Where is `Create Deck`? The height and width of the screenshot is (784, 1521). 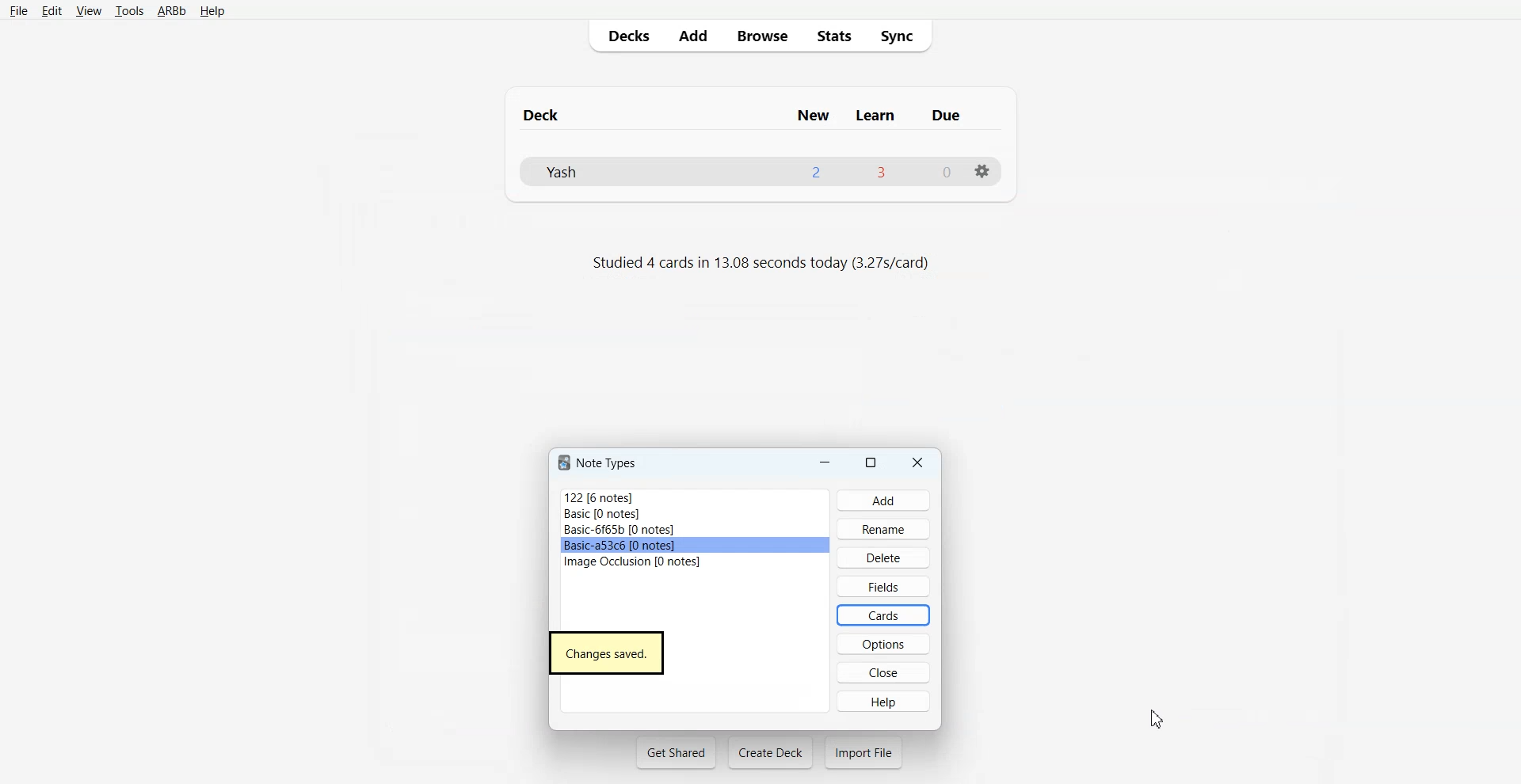
Create Deck is located at coordinates (770, 752).